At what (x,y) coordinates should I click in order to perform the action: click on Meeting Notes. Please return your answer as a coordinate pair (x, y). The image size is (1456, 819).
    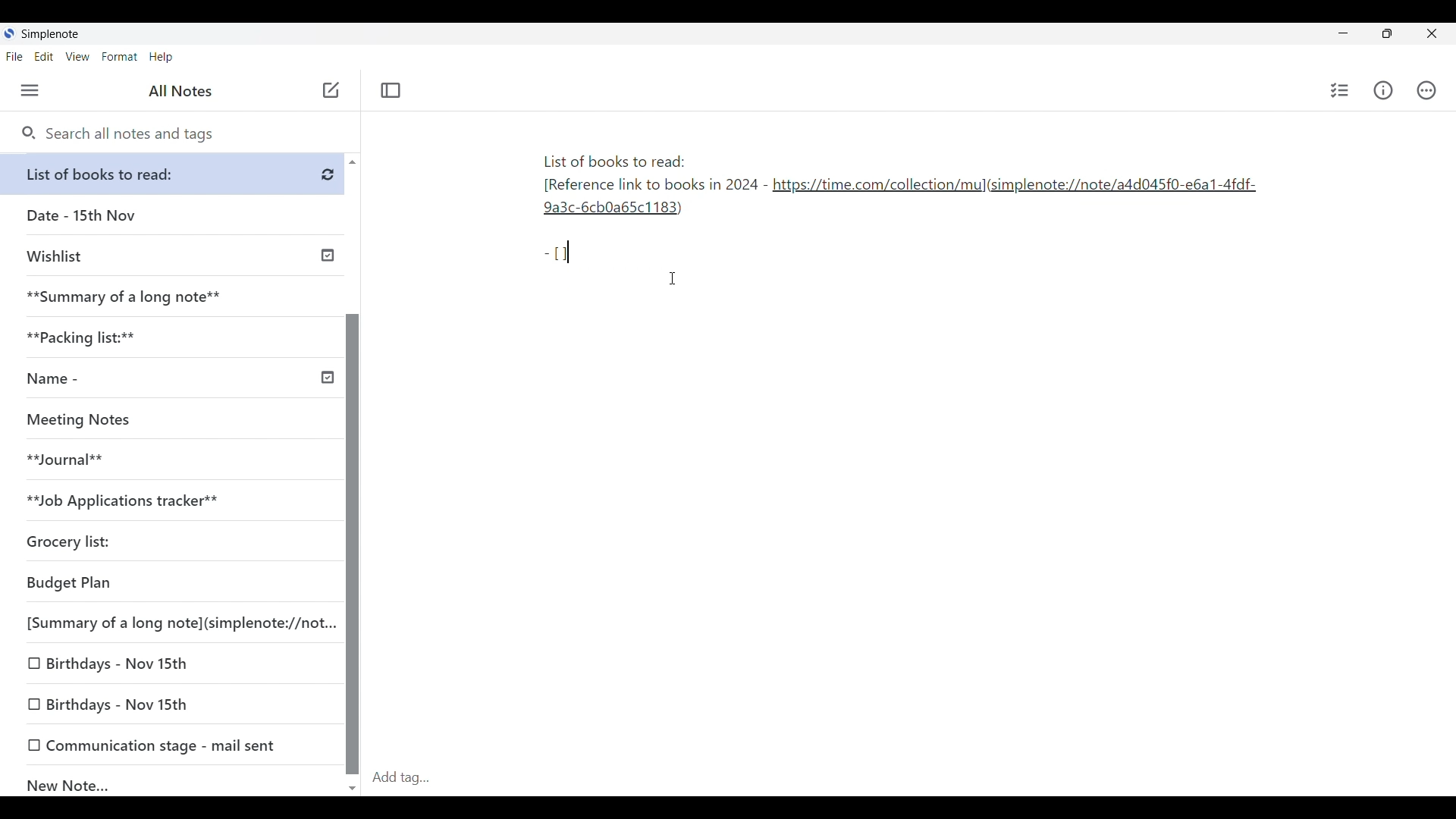
    Looking at the image, I should click on (167, 420).